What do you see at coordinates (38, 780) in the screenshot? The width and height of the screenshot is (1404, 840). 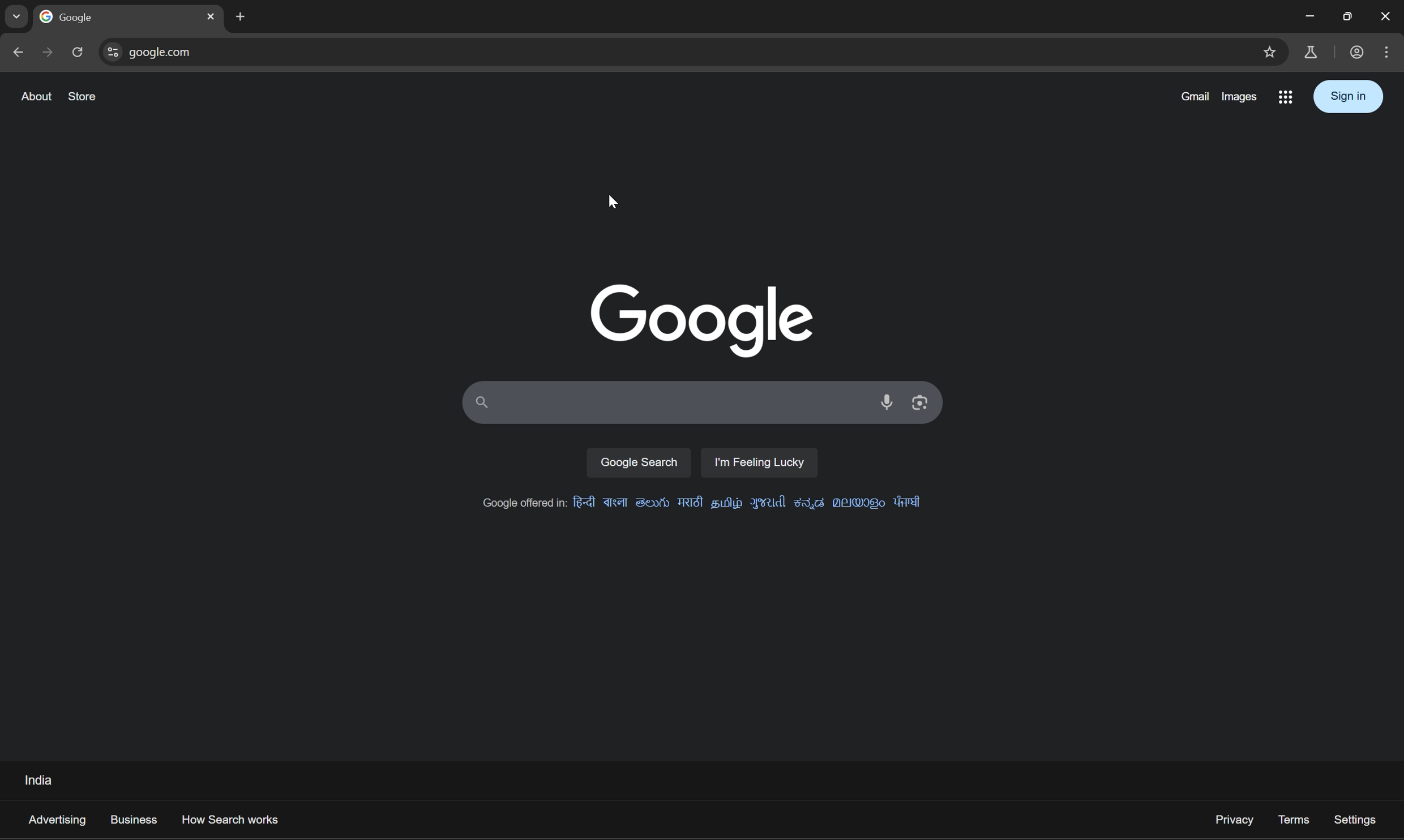 I see `india` at bounding box center [38, 780].